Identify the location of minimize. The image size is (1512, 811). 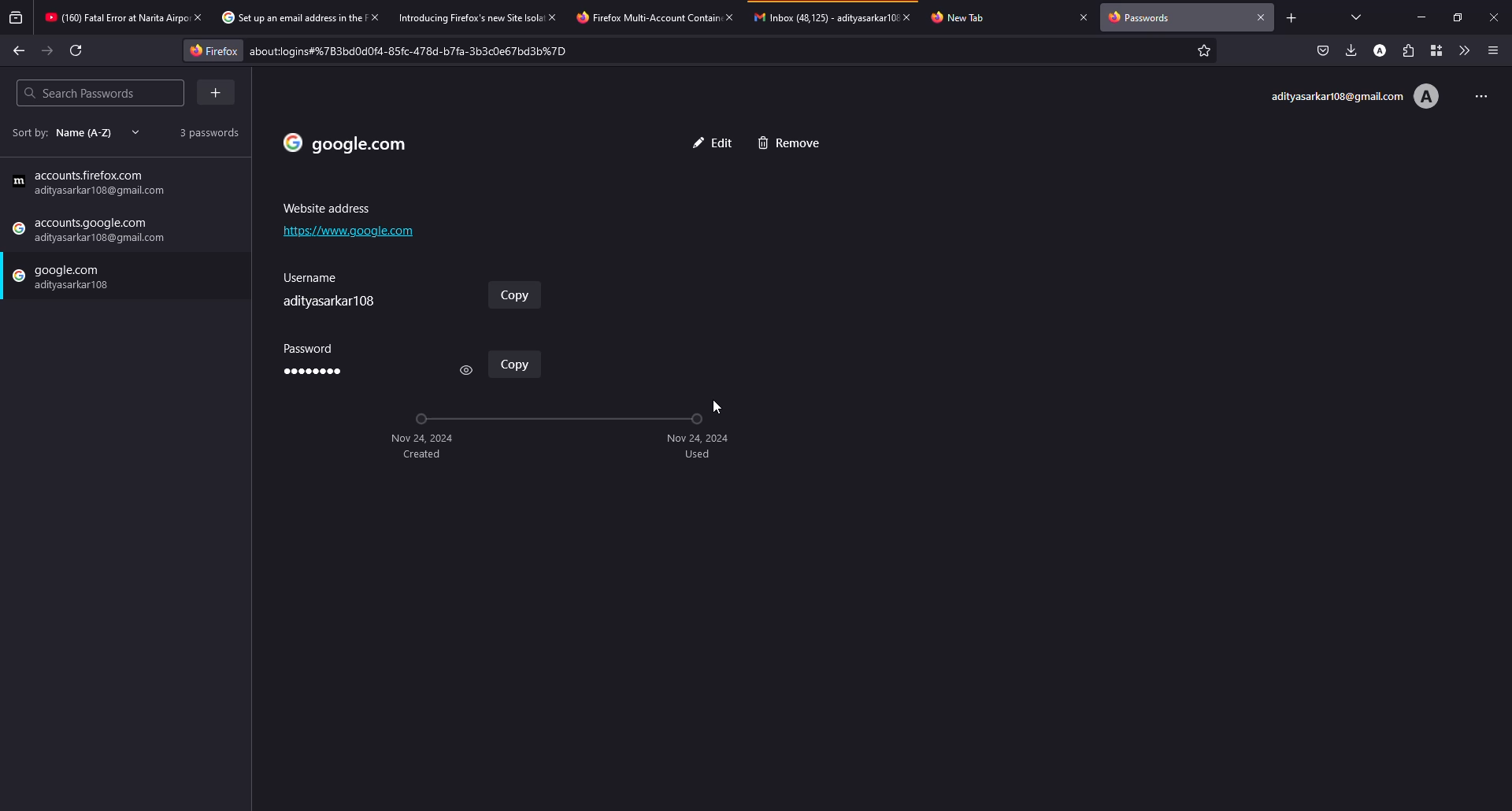
(1424, 17).